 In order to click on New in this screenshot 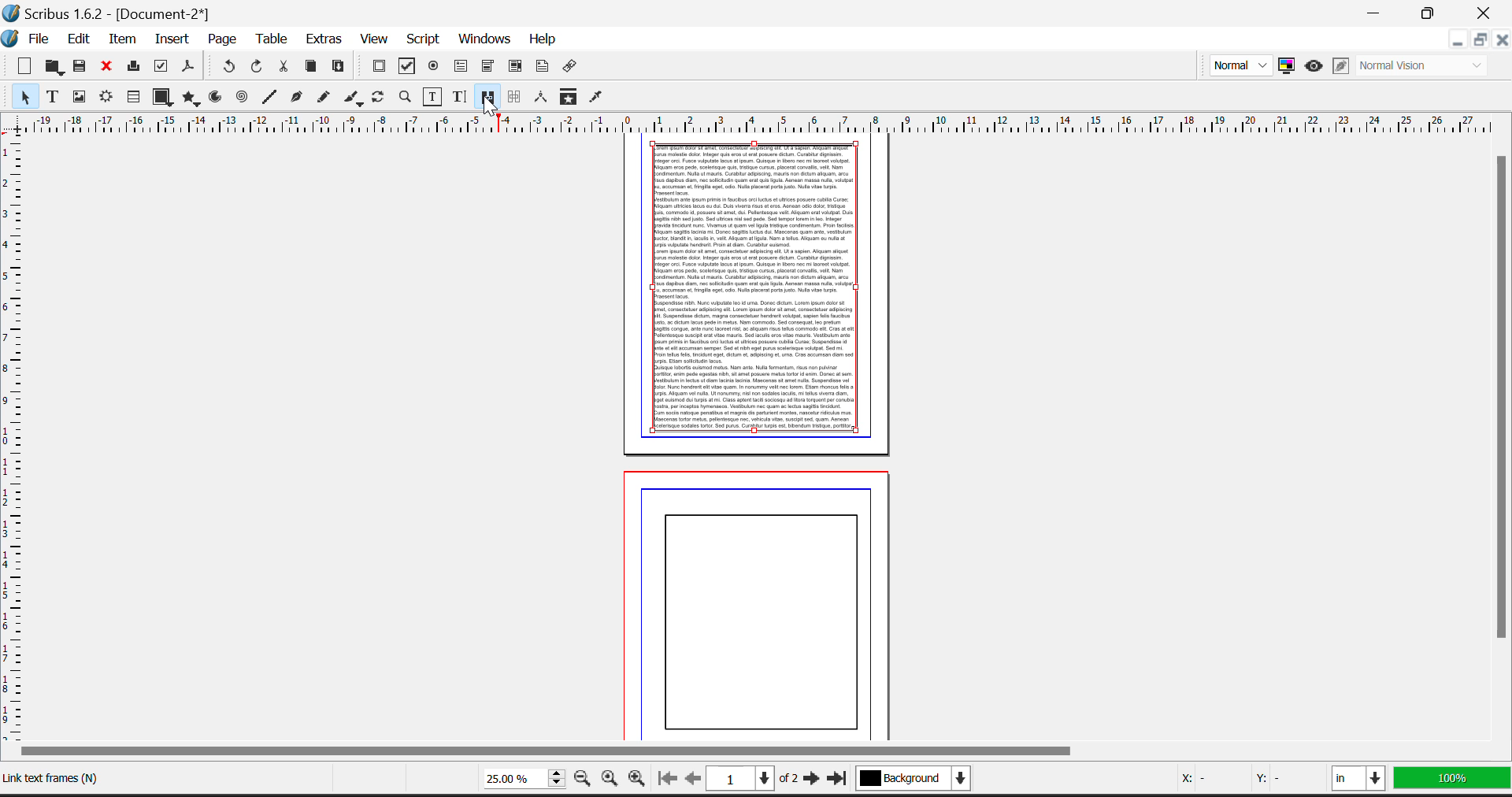, I will do `click(20, 67)`.